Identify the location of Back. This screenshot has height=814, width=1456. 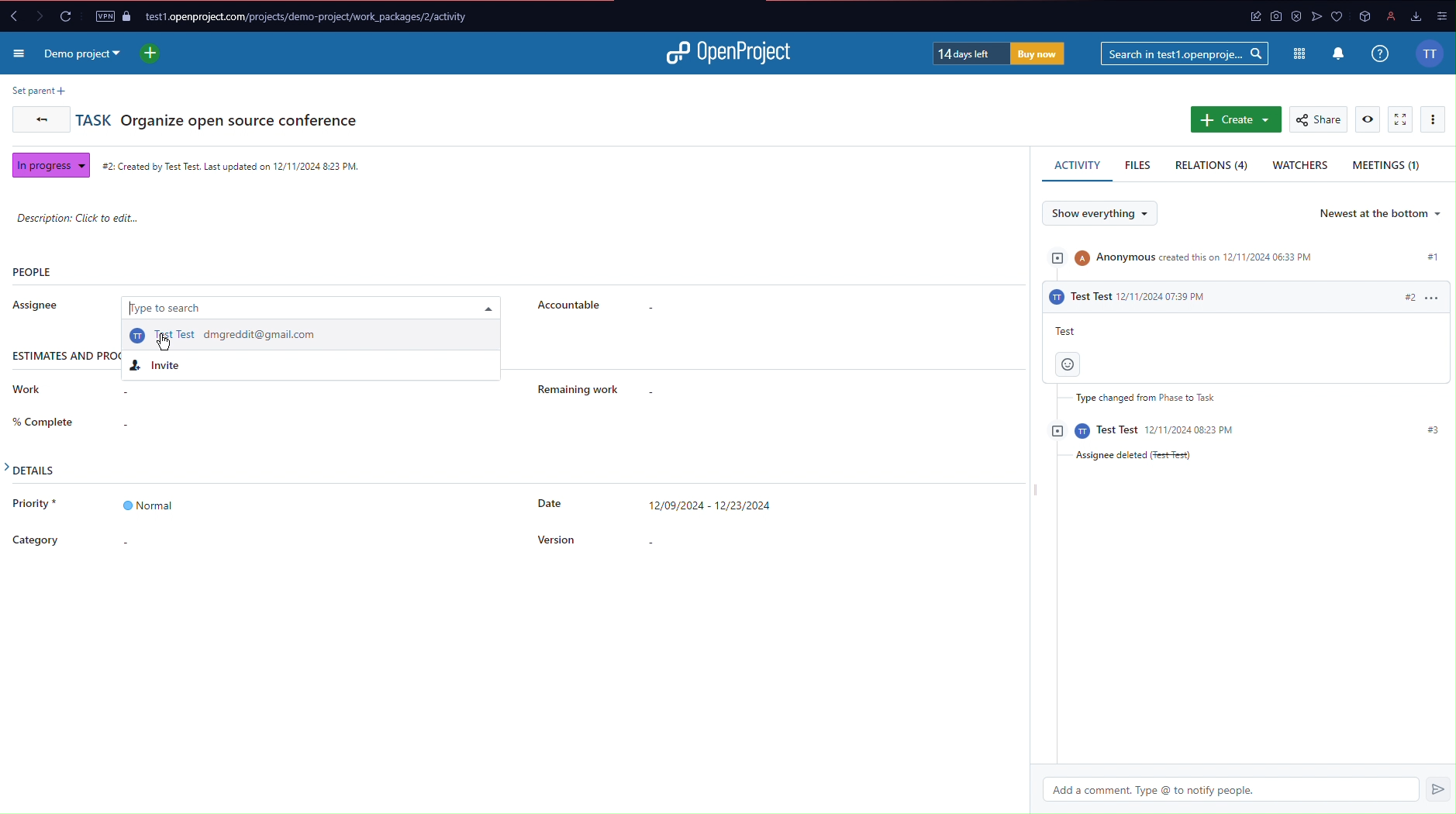
(35, 118).